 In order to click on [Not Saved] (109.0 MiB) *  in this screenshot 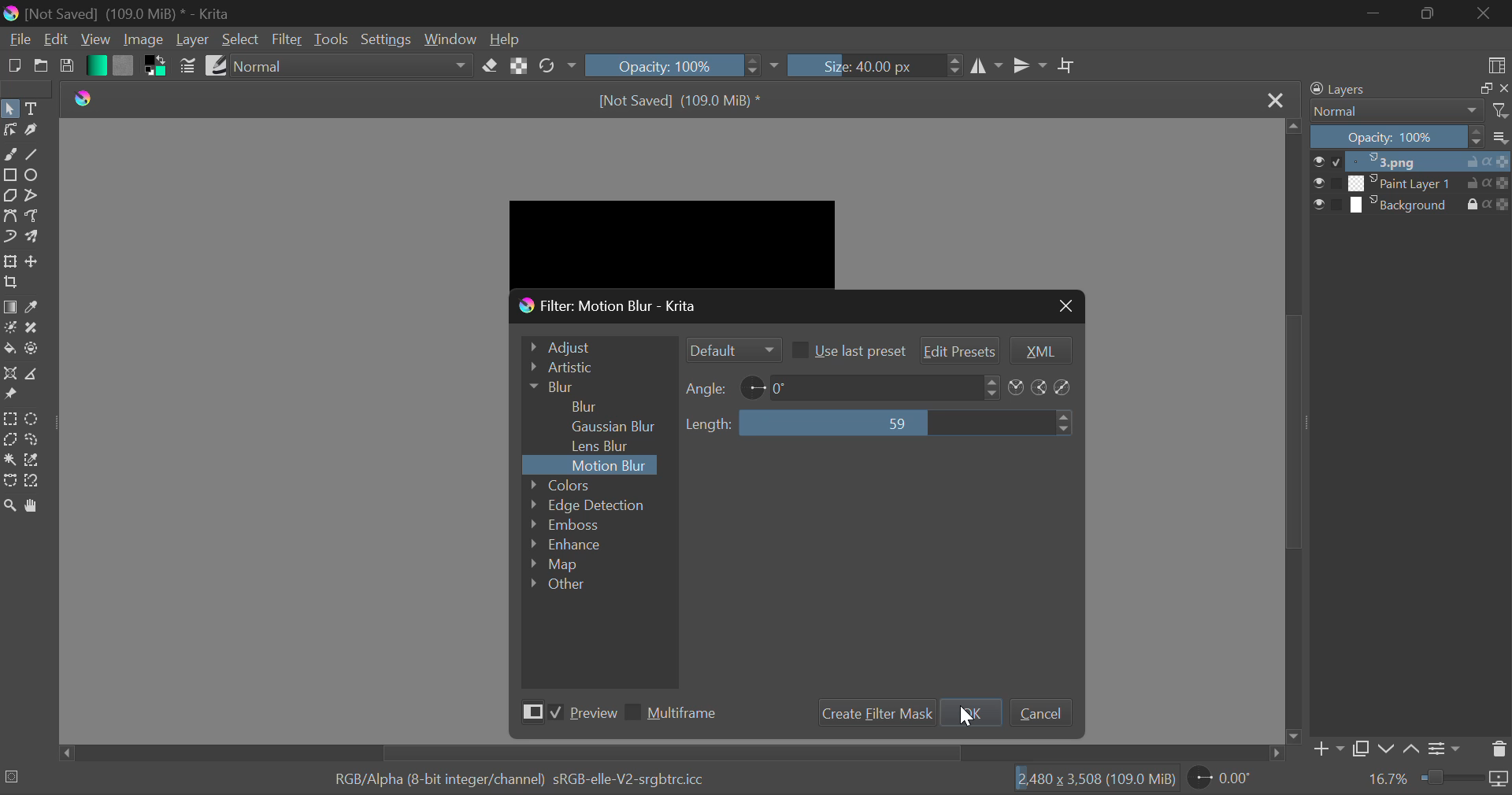, I will do `click(684, 98)`.